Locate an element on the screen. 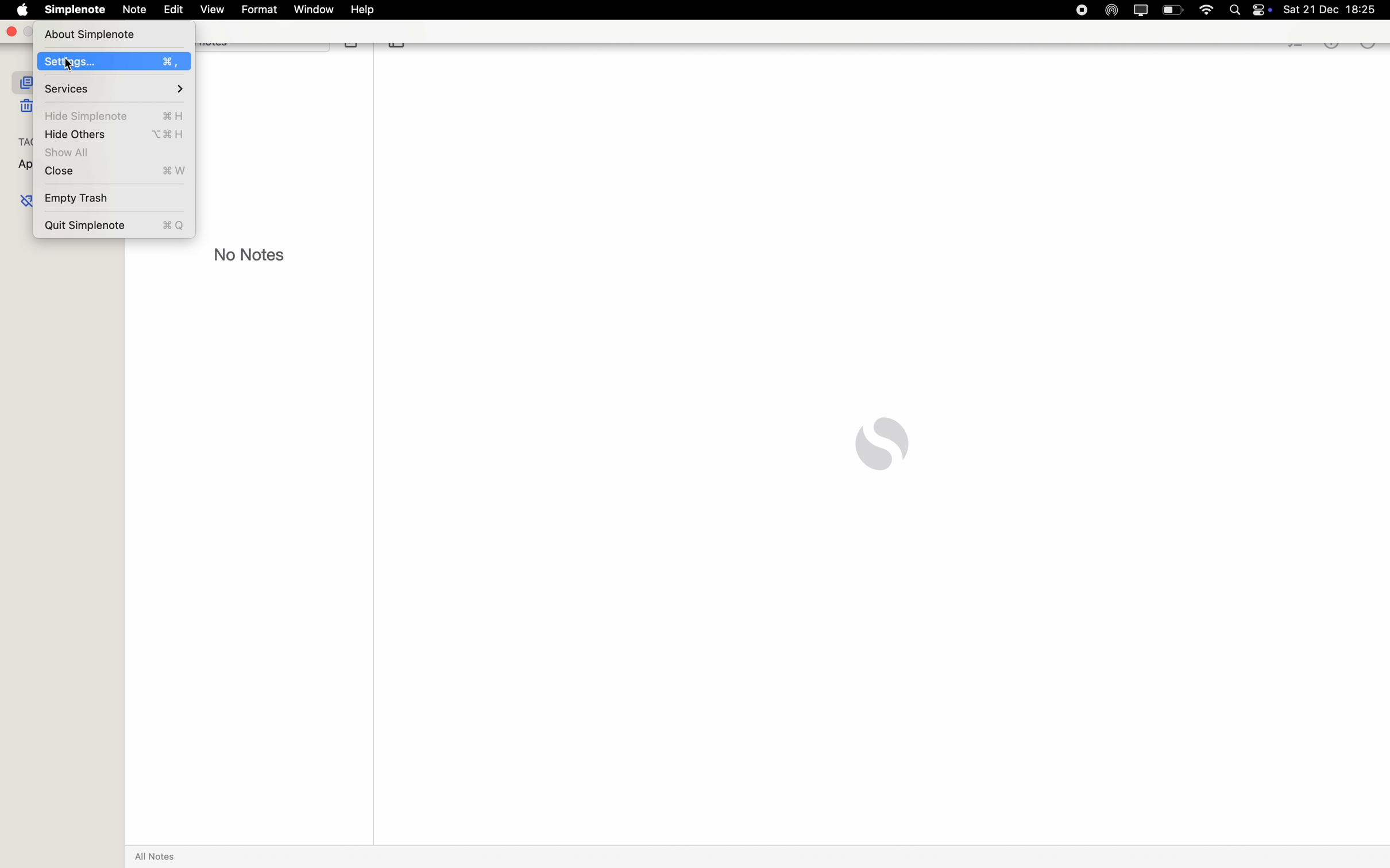 The width and height of the screenshot is (1390, 868). hide others is located at coordinates (115, 134).